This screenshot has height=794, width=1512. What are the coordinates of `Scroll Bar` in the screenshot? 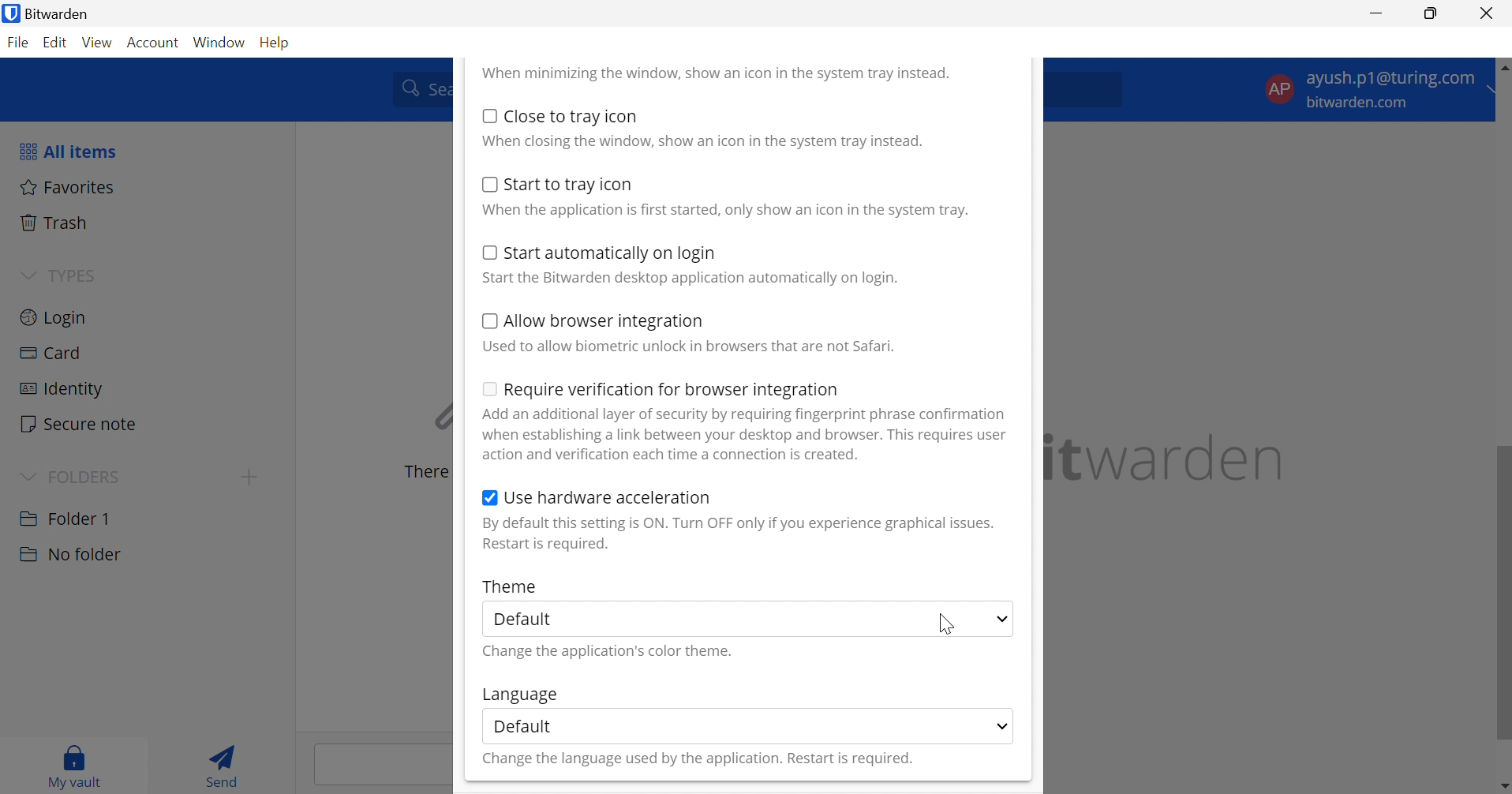 It's located at (1503, 451).